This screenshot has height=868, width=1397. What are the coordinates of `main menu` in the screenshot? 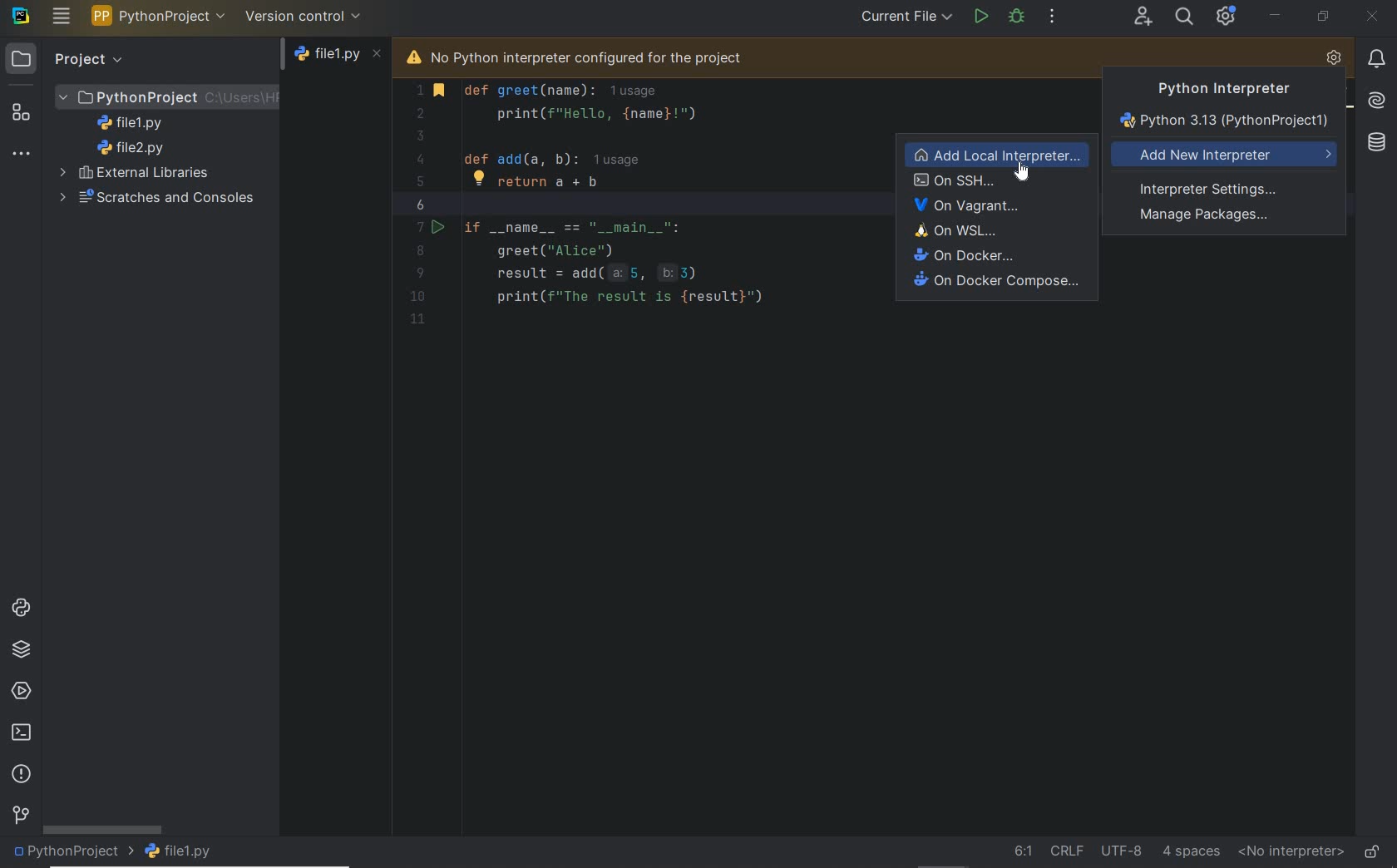 It's located at (62, 16).